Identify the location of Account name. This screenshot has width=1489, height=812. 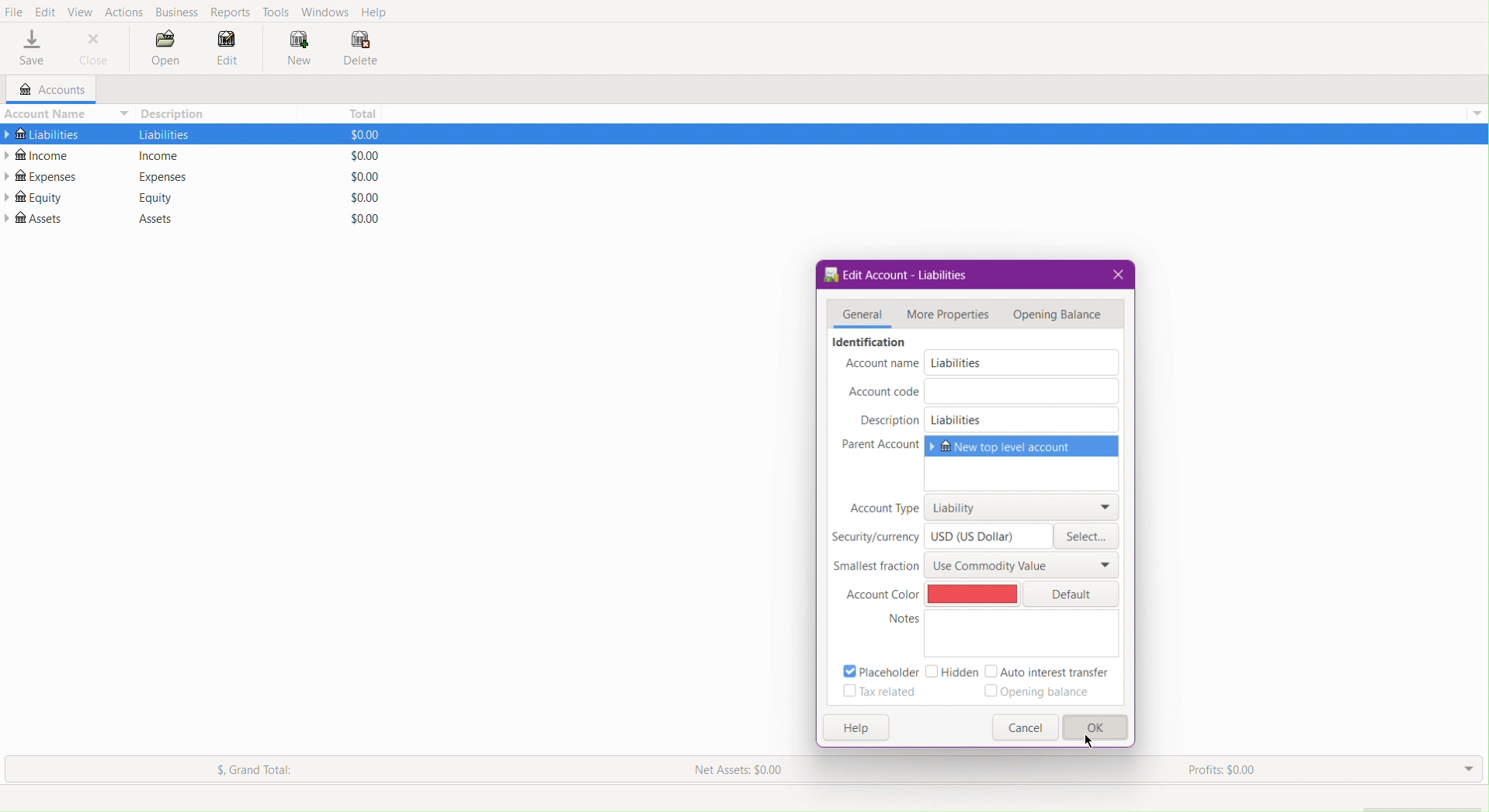
(882, 364).